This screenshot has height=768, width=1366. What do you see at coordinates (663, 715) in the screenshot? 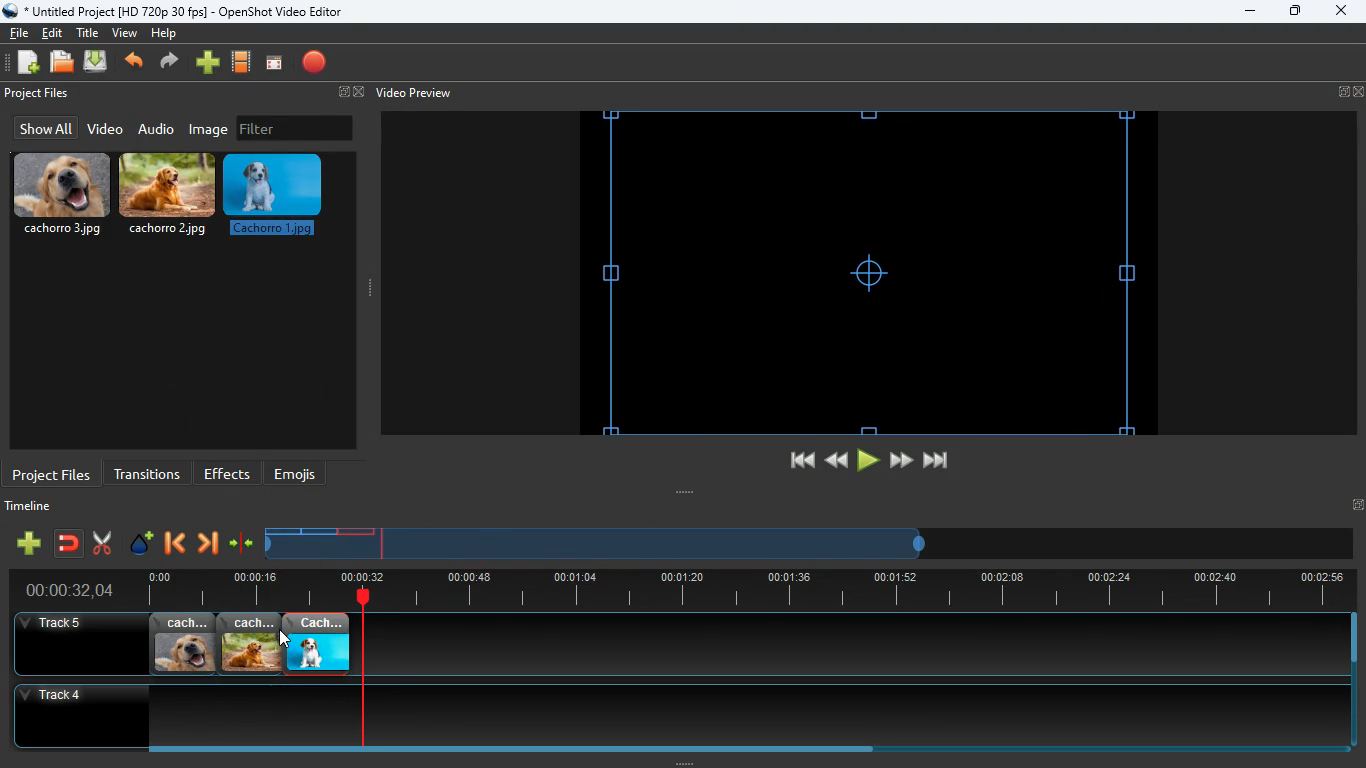
I see `track` at bounding box center [663, 715].